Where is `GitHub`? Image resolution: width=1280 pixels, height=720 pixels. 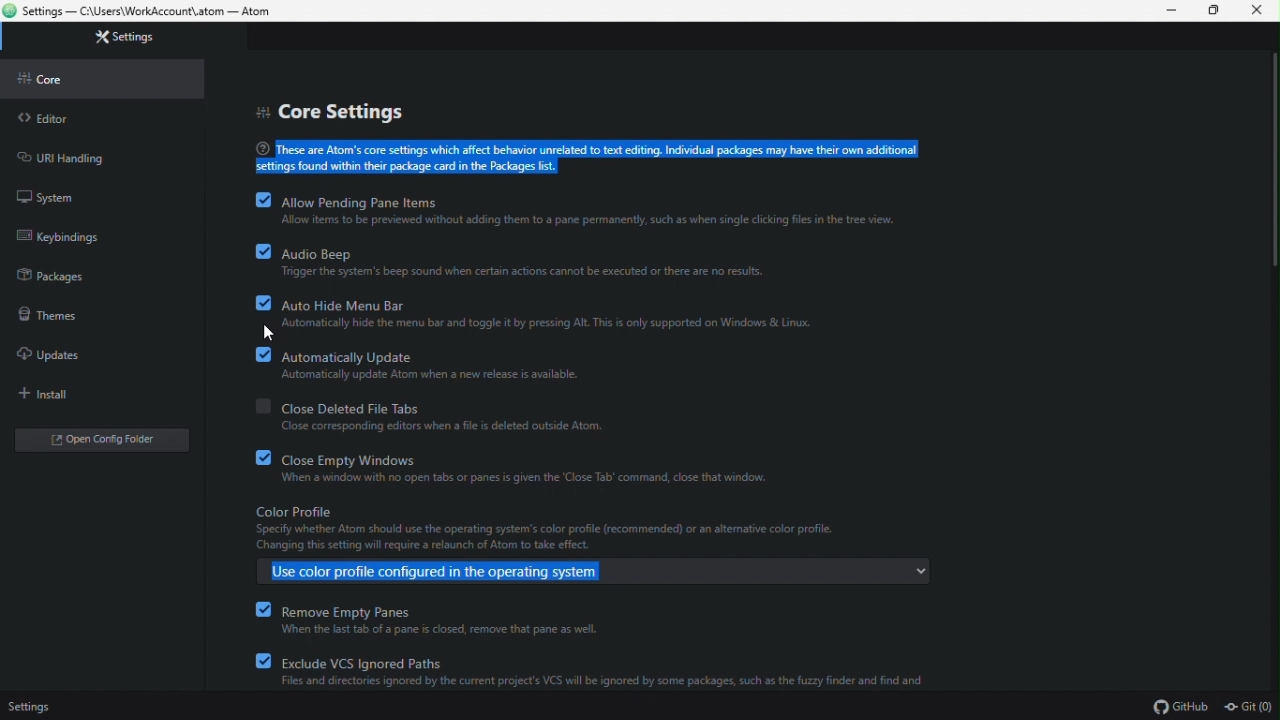
GitHub is located at coordinates (1183, 704).